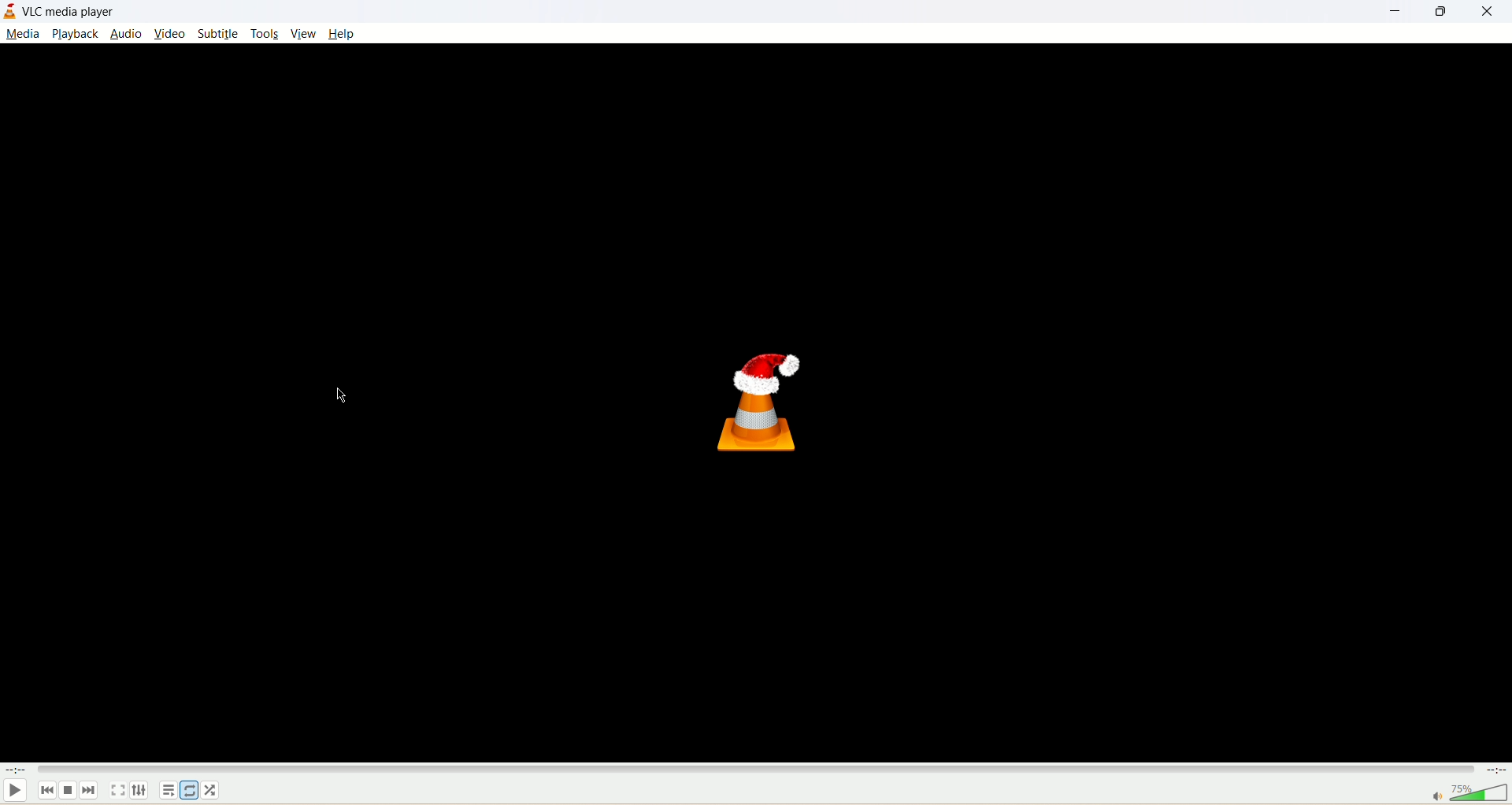 This screenshot has width=1512, height=805. I want to click on playlist, so click(169, 792).